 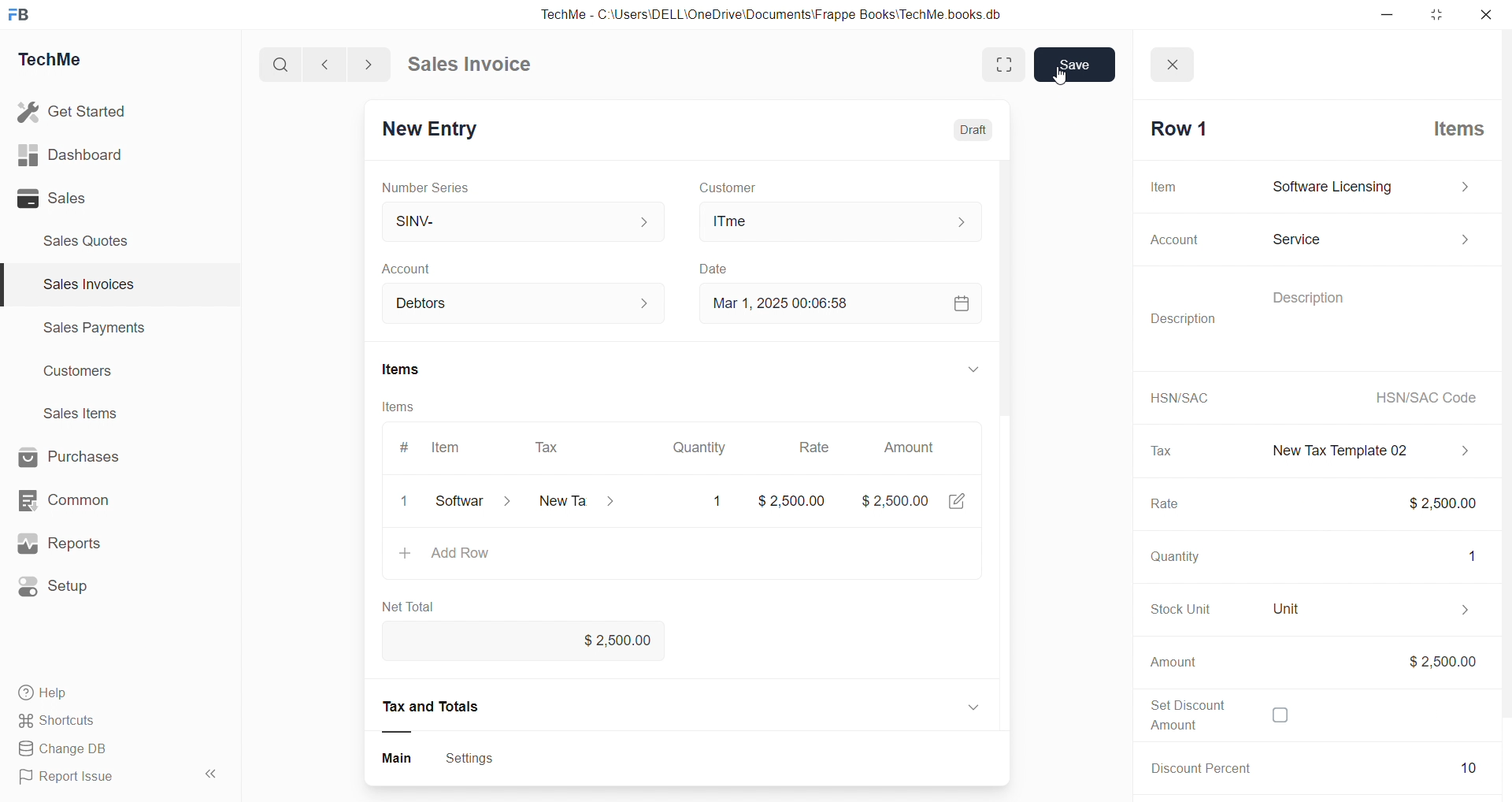 What do you see at coordinates (441, 300) in the screenshot?
I see `Account` at bounding box center [441, 300].